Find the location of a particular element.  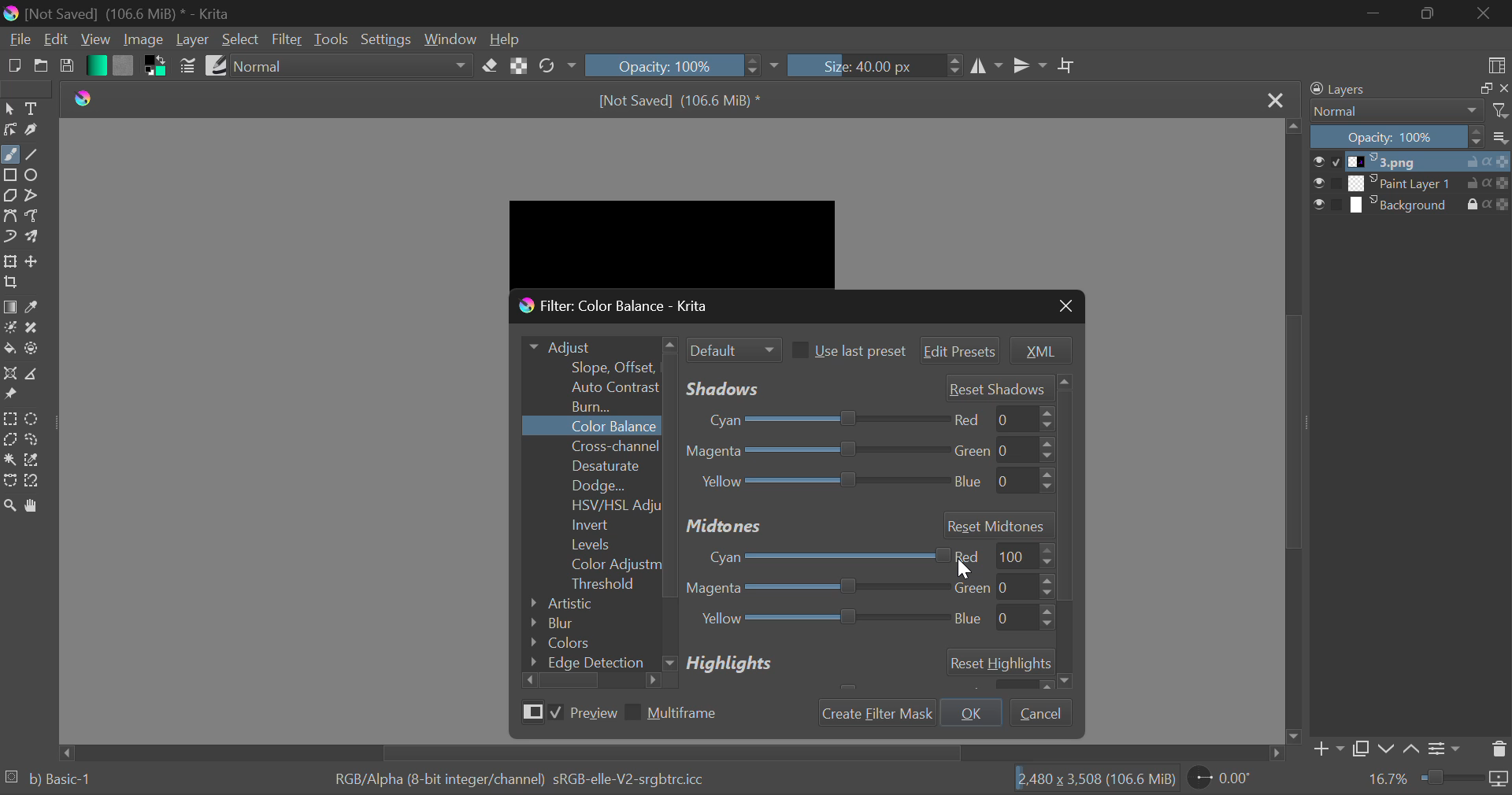

2480 x 3,508 (106.6 MiB) is located at coordinates (1089, 782).